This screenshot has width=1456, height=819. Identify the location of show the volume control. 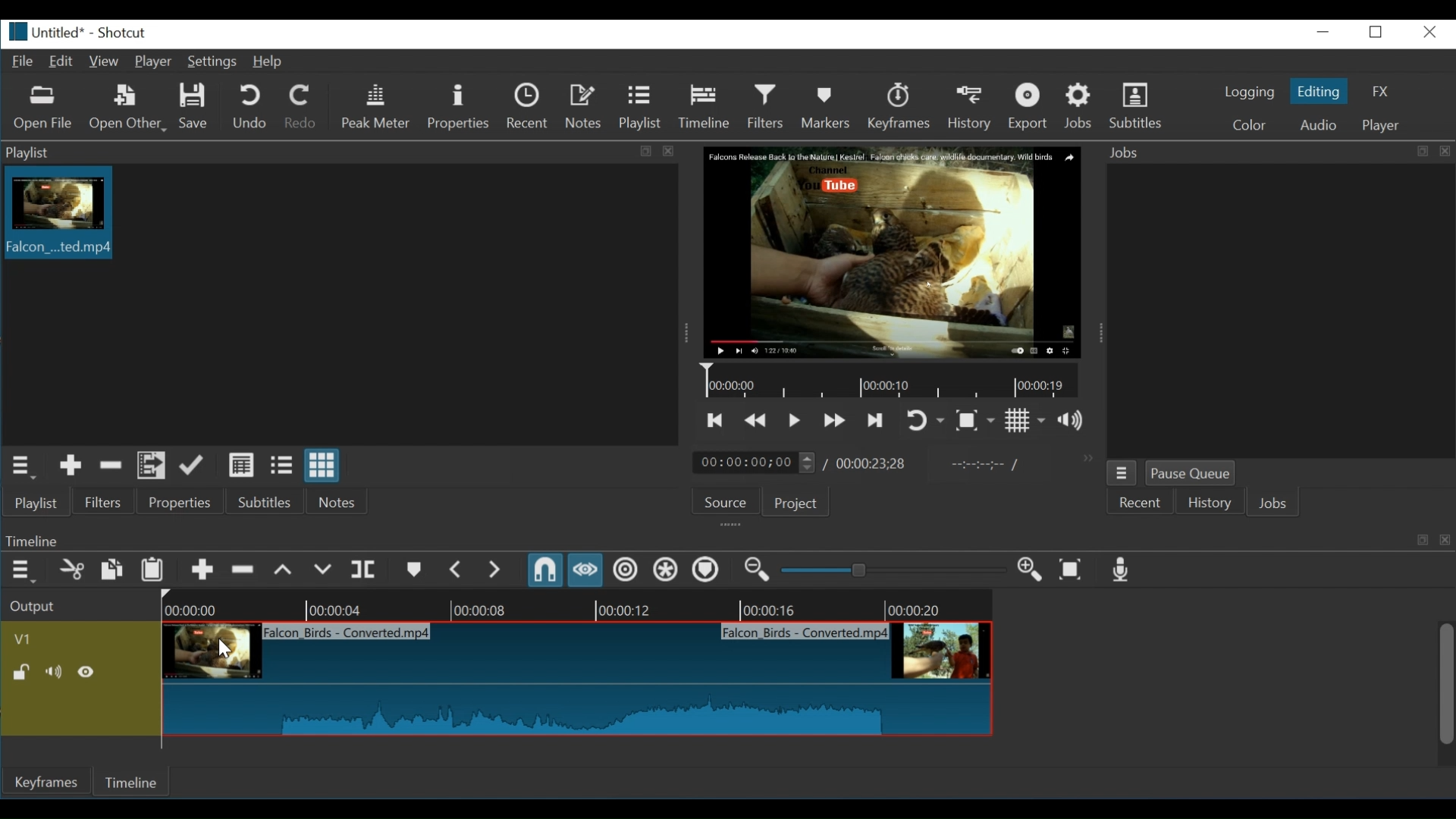
(1075, 420).